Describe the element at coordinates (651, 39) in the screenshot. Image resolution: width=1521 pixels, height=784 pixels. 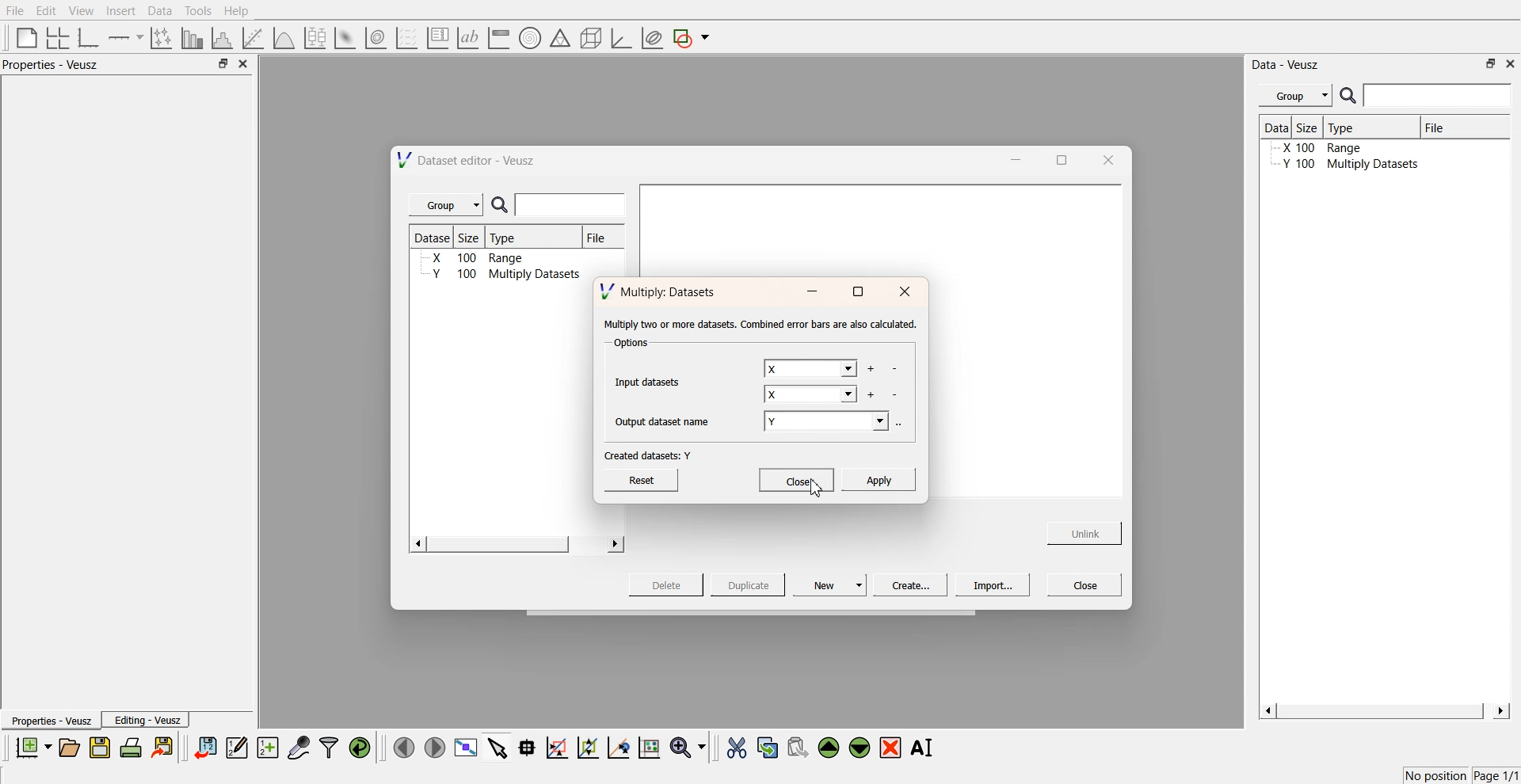
I see `plot covariance ellipses` at that location.